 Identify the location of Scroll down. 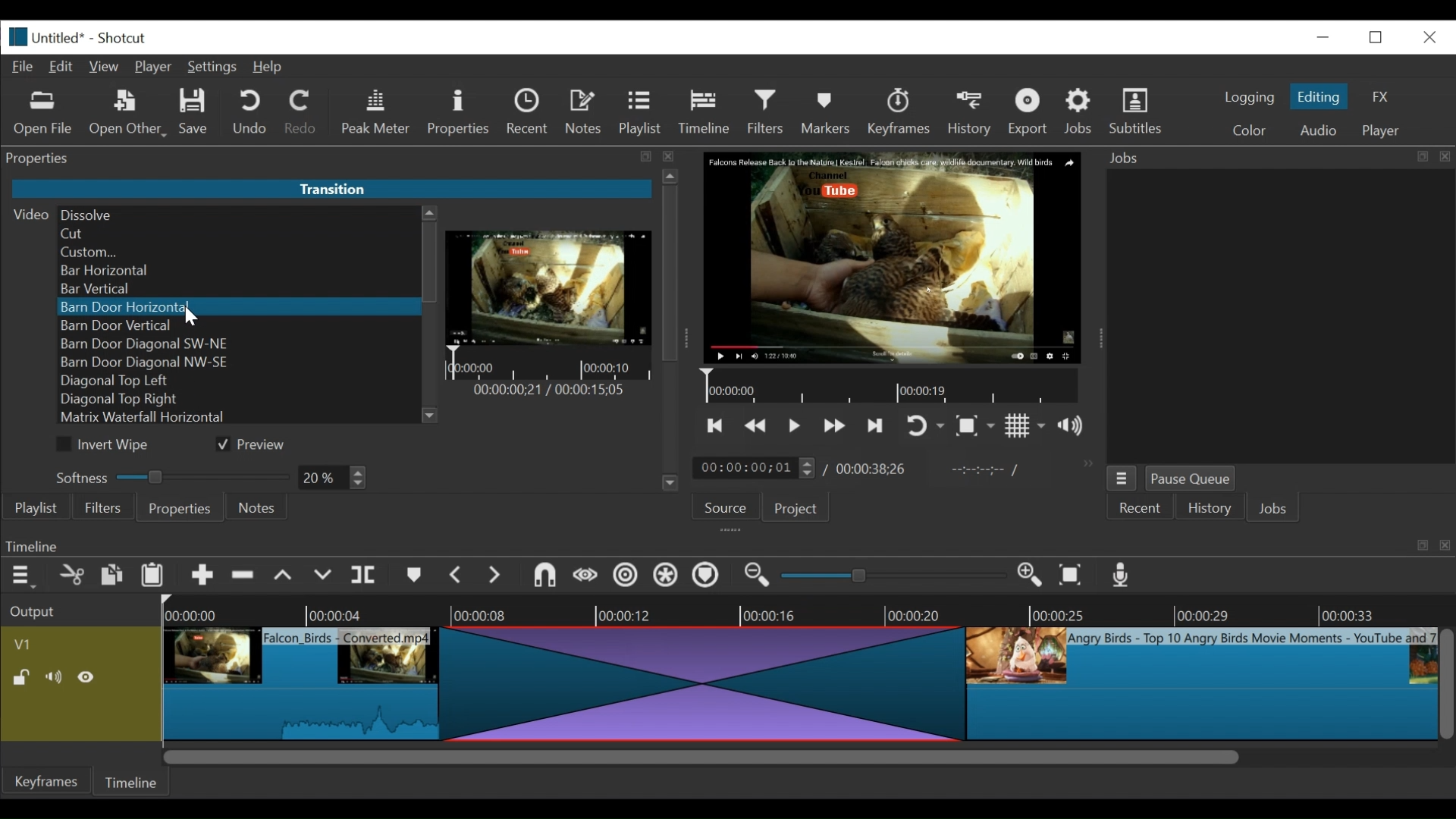
(431, 416).